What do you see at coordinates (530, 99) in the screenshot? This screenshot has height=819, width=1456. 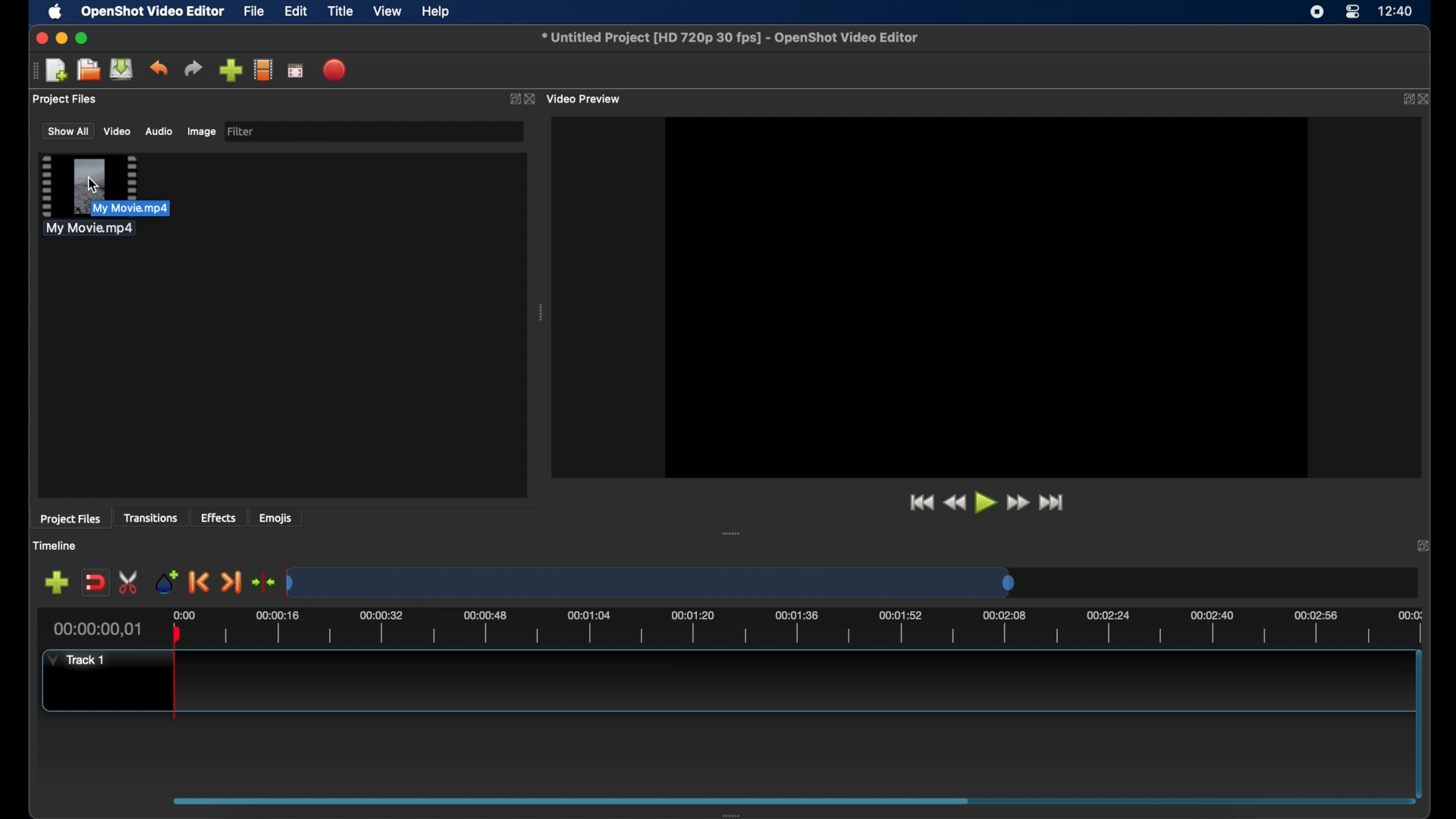 I see `close` at bounding box center [530, 99].